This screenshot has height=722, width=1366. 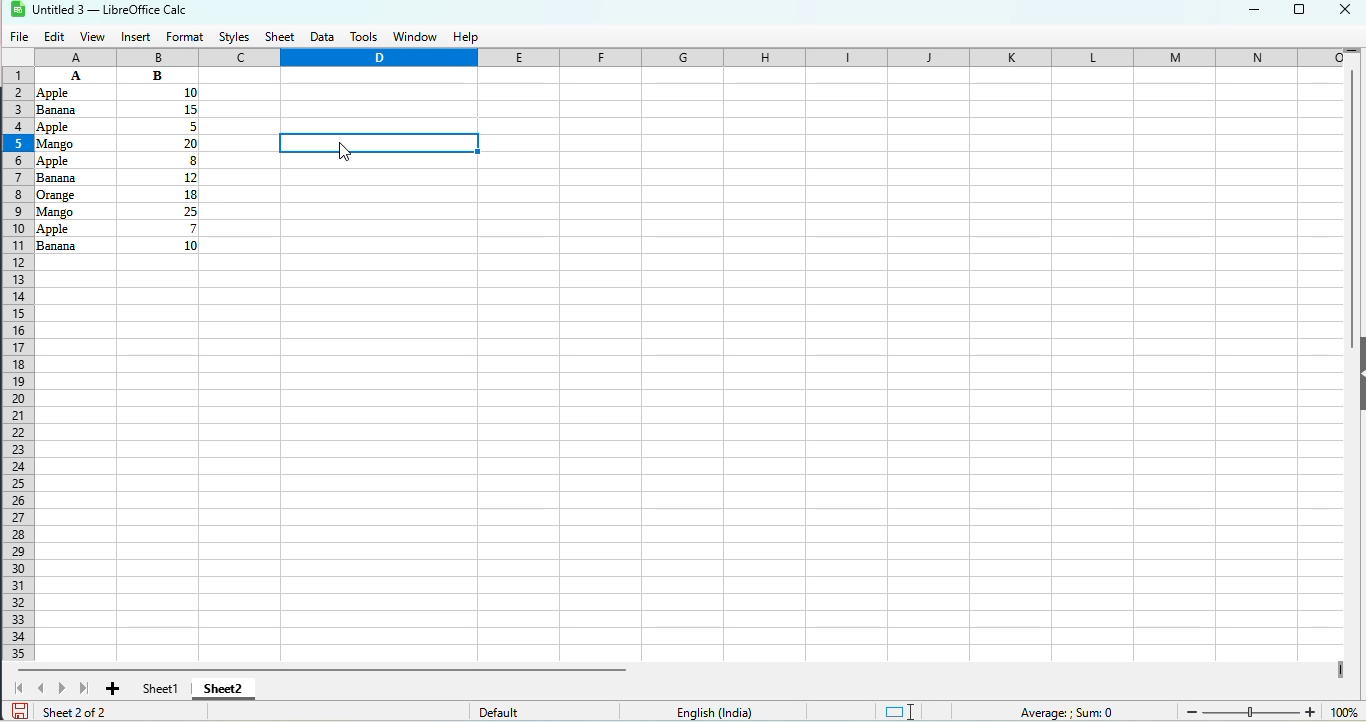 I want to click on sheet, so click(x=279, y=38).